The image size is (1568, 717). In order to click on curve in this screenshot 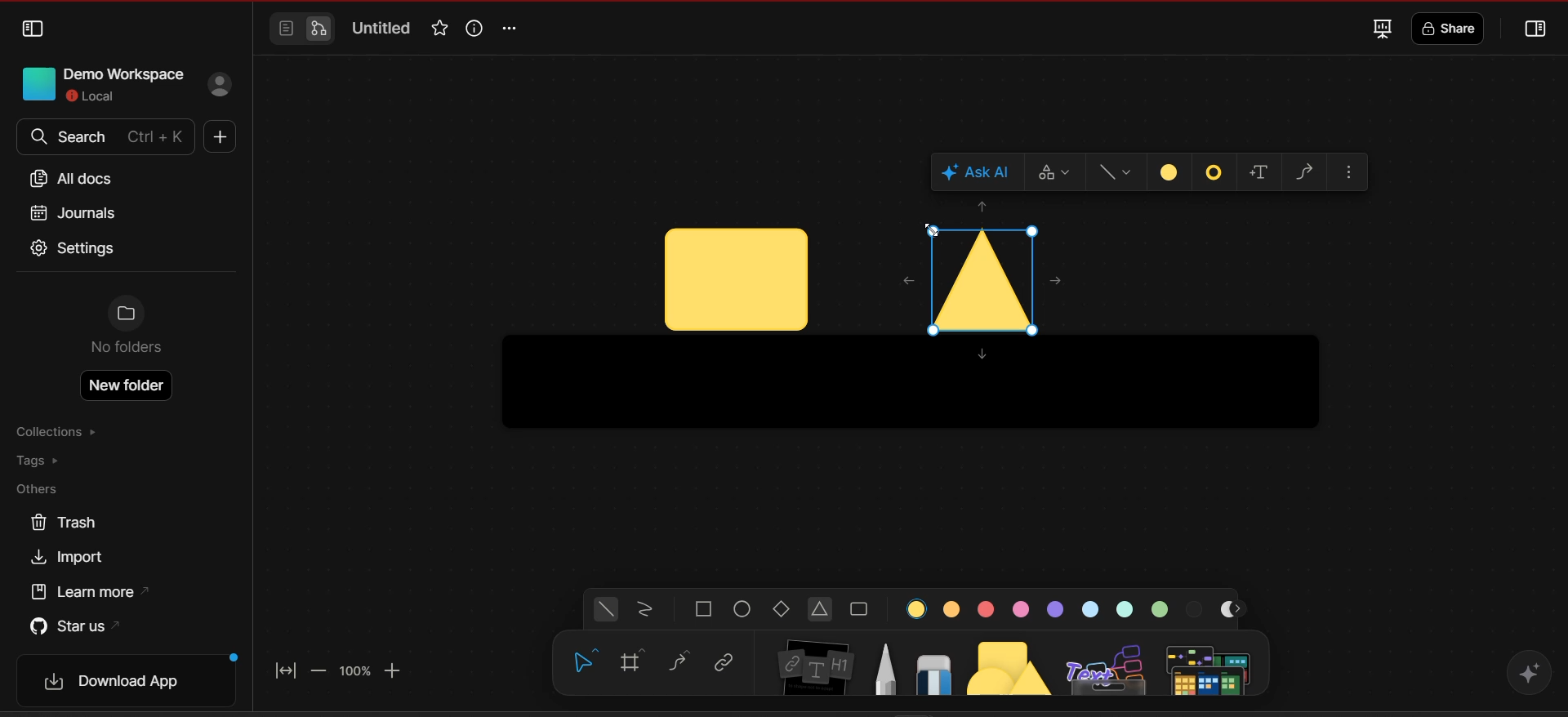, I will do `click(681, 661)`.